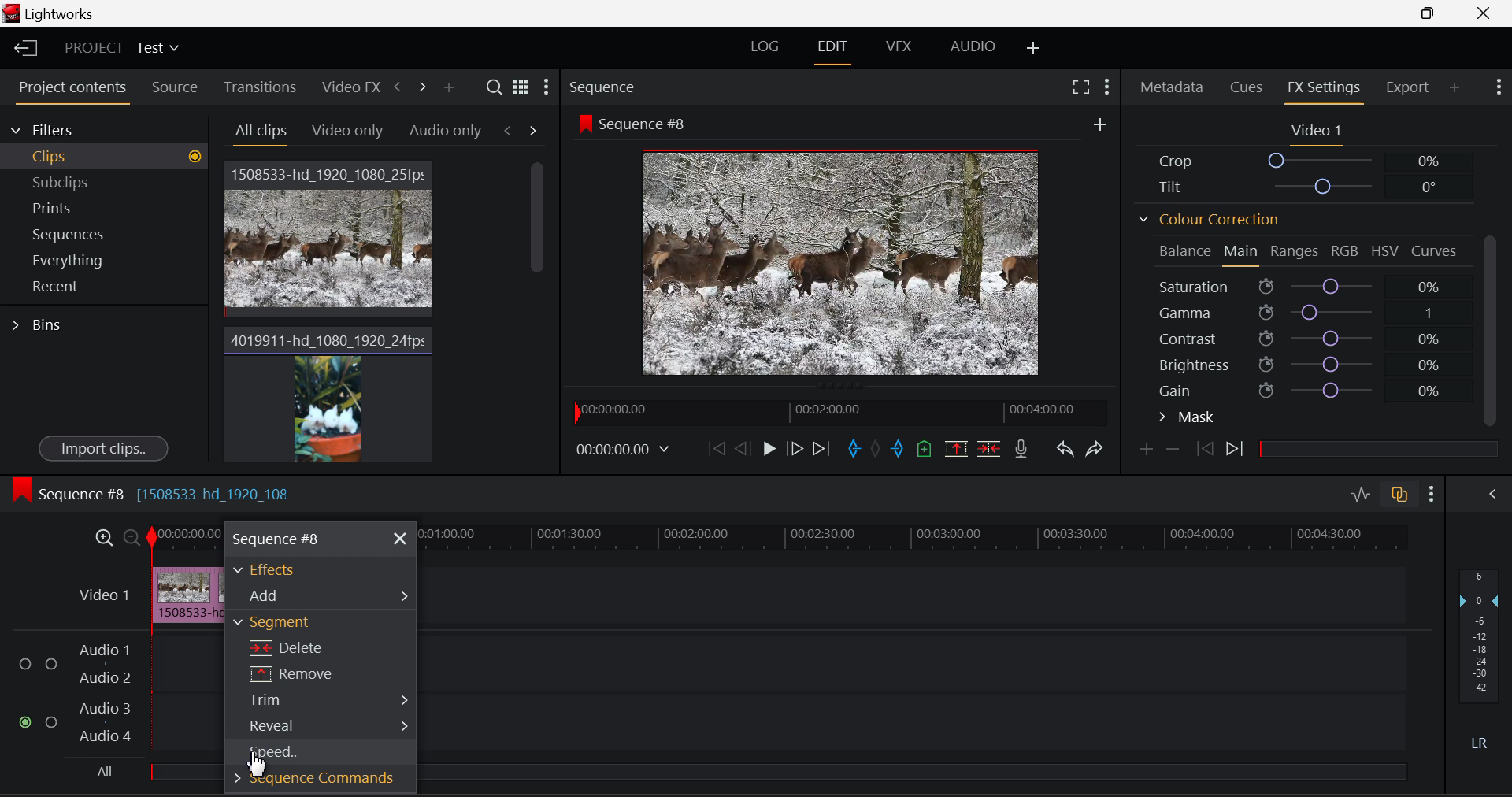  What do you see at coordinates (1499, 90) in the screenshot?
I see `Show Settings` at bounding box center [1499, 90].